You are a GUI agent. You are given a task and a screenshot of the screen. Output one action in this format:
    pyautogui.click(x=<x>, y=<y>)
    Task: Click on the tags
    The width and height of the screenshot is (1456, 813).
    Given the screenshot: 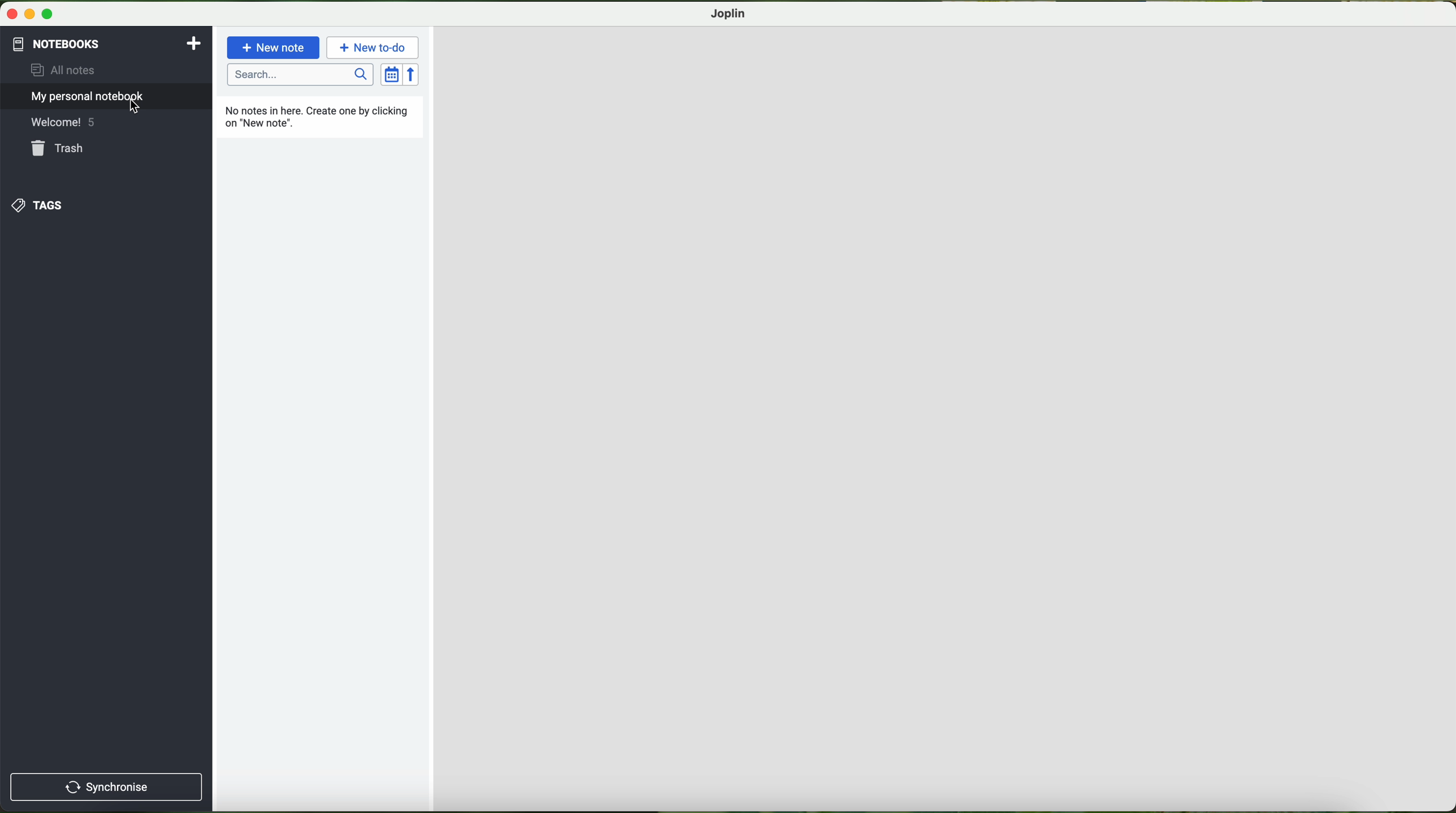 What is the action you would take?
    pyautogui.click(x=36, y=204)
    